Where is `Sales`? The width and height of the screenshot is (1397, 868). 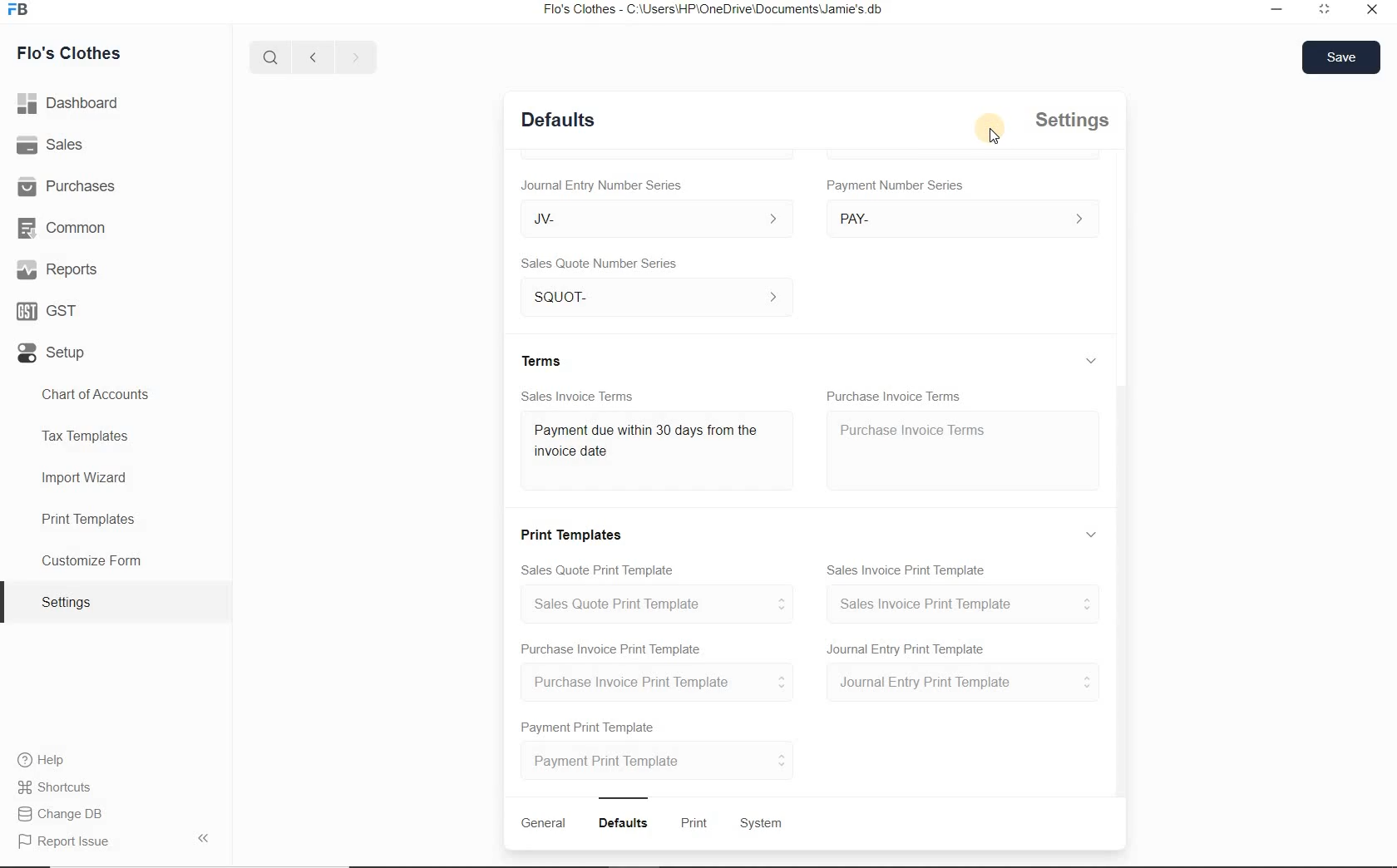
Sales is located at coordinates (50, 144).